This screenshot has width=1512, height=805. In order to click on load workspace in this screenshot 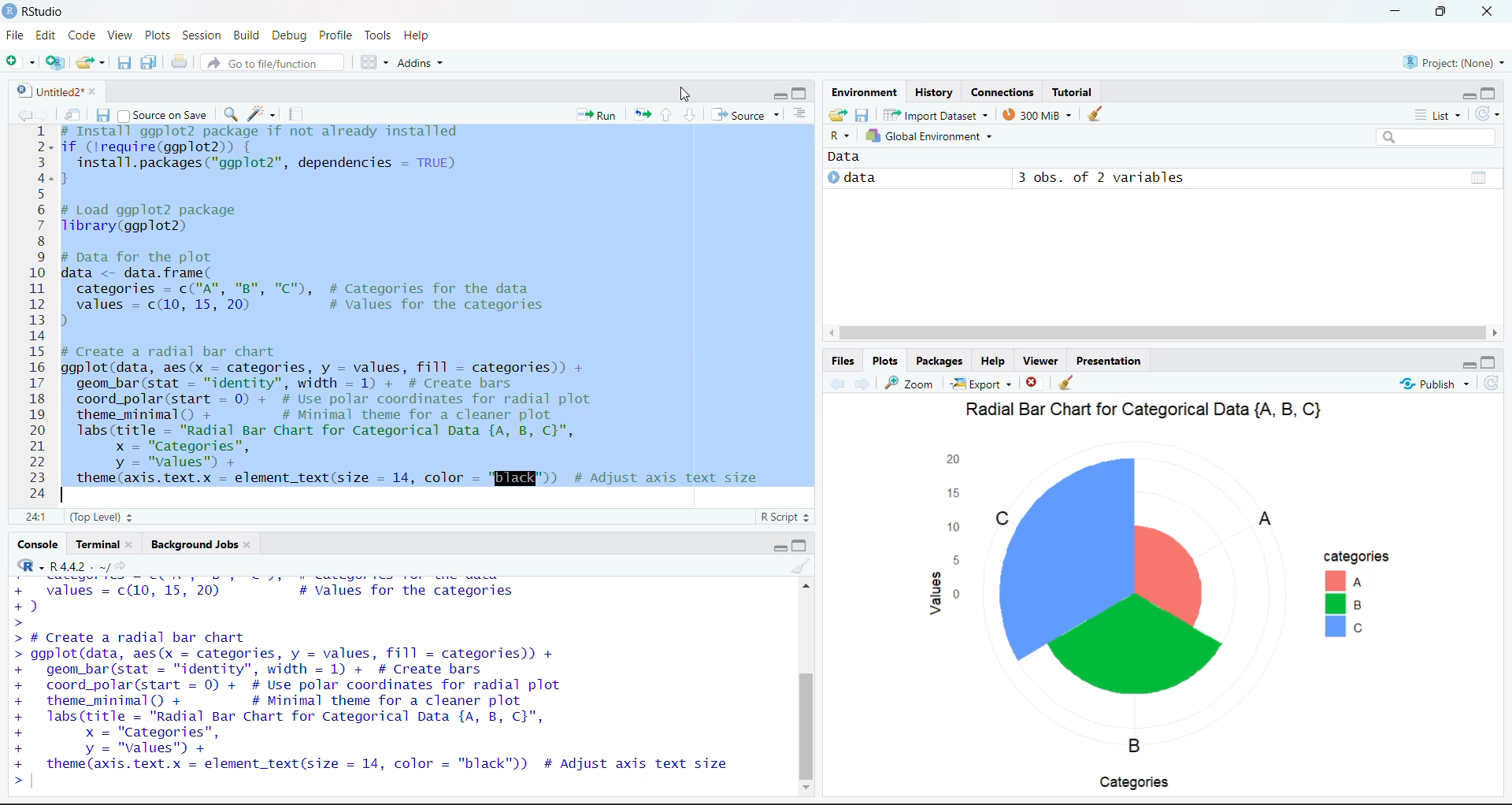, I will do `click(838, 114)`.